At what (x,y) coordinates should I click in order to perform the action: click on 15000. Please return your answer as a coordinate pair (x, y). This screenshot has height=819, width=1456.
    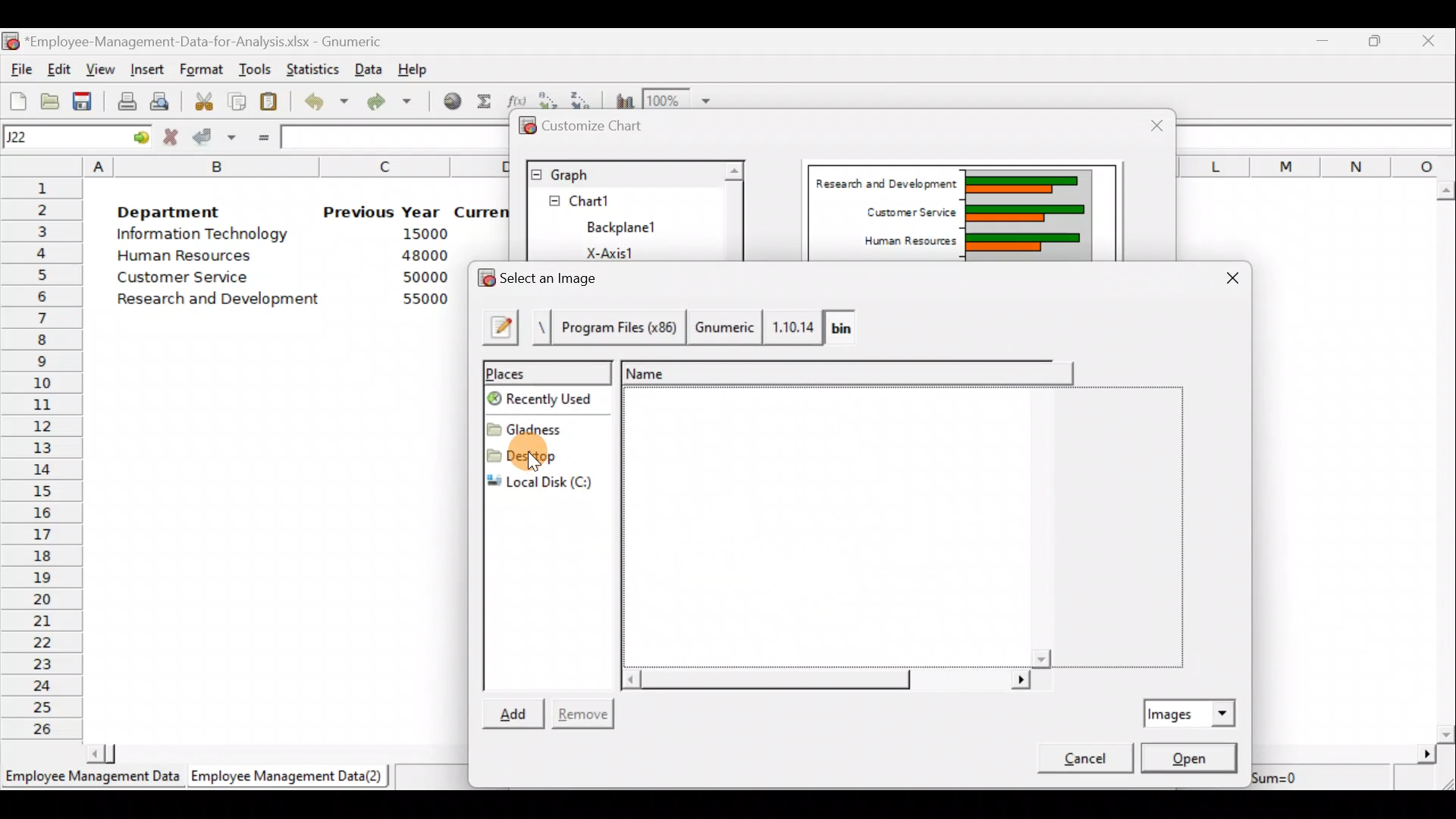
    Looking at the image, I should click on (420, 237).